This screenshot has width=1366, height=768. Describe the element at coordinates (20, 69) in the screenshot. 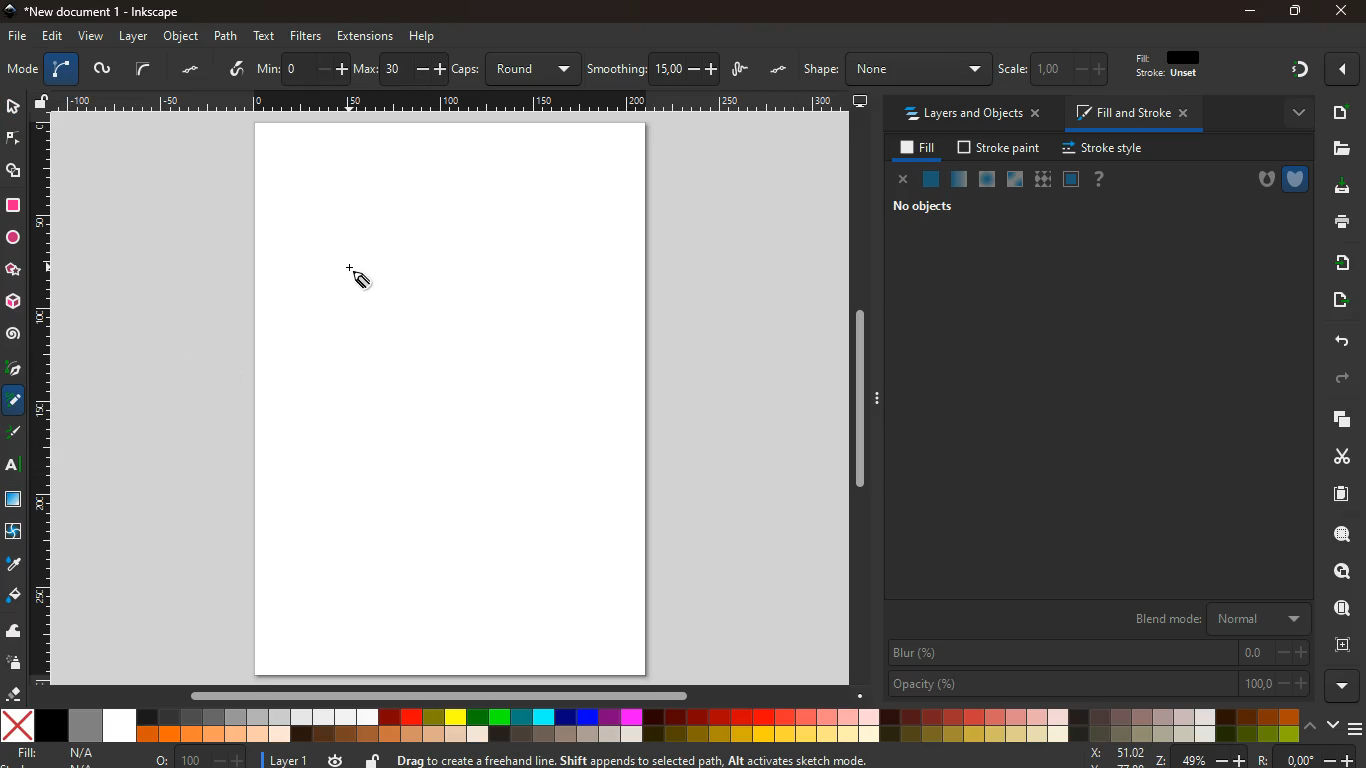

I see `screen` at that location.